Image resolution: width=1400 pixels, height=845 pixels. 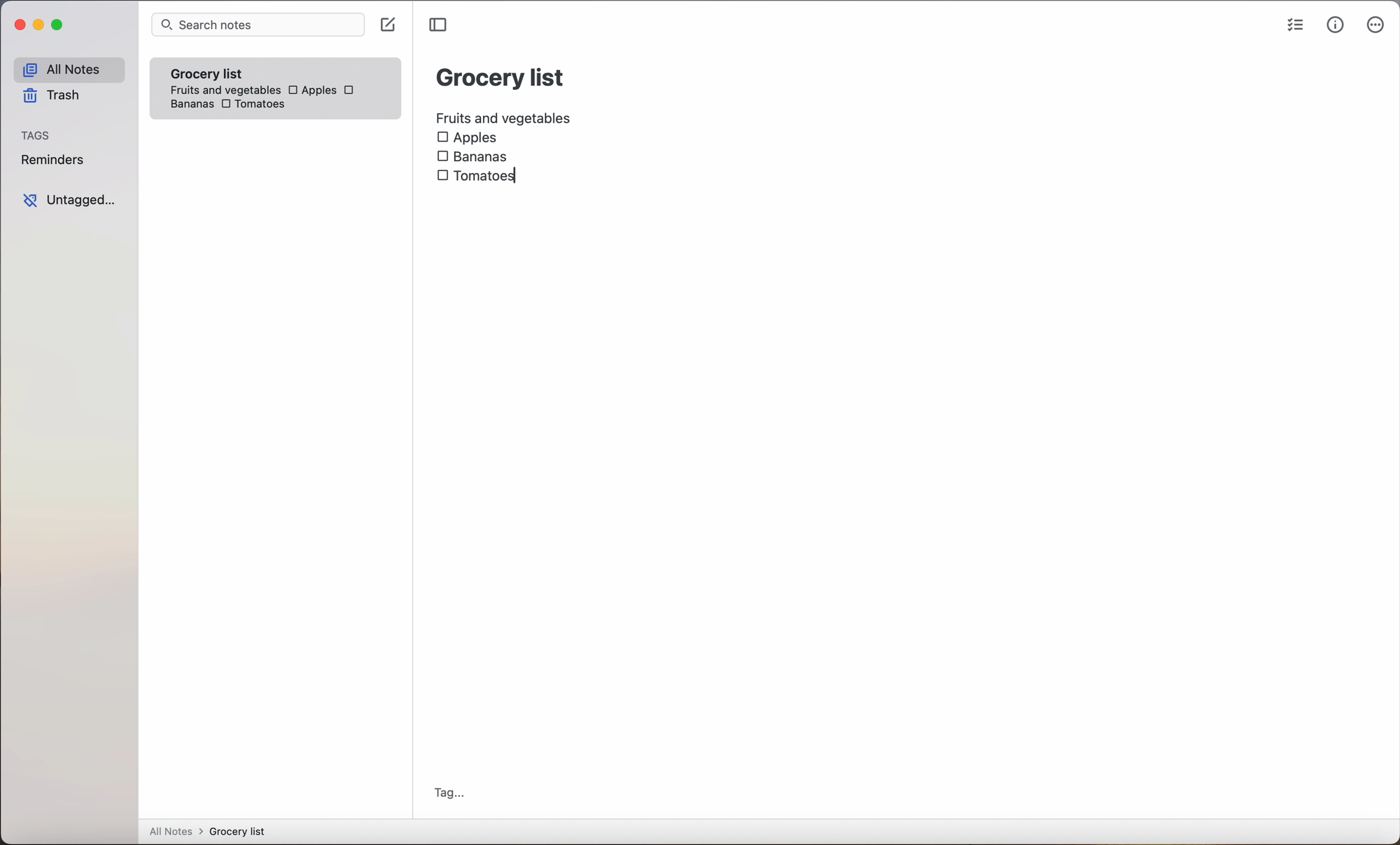 I want to click on bananas, so click(x=190, y=104).